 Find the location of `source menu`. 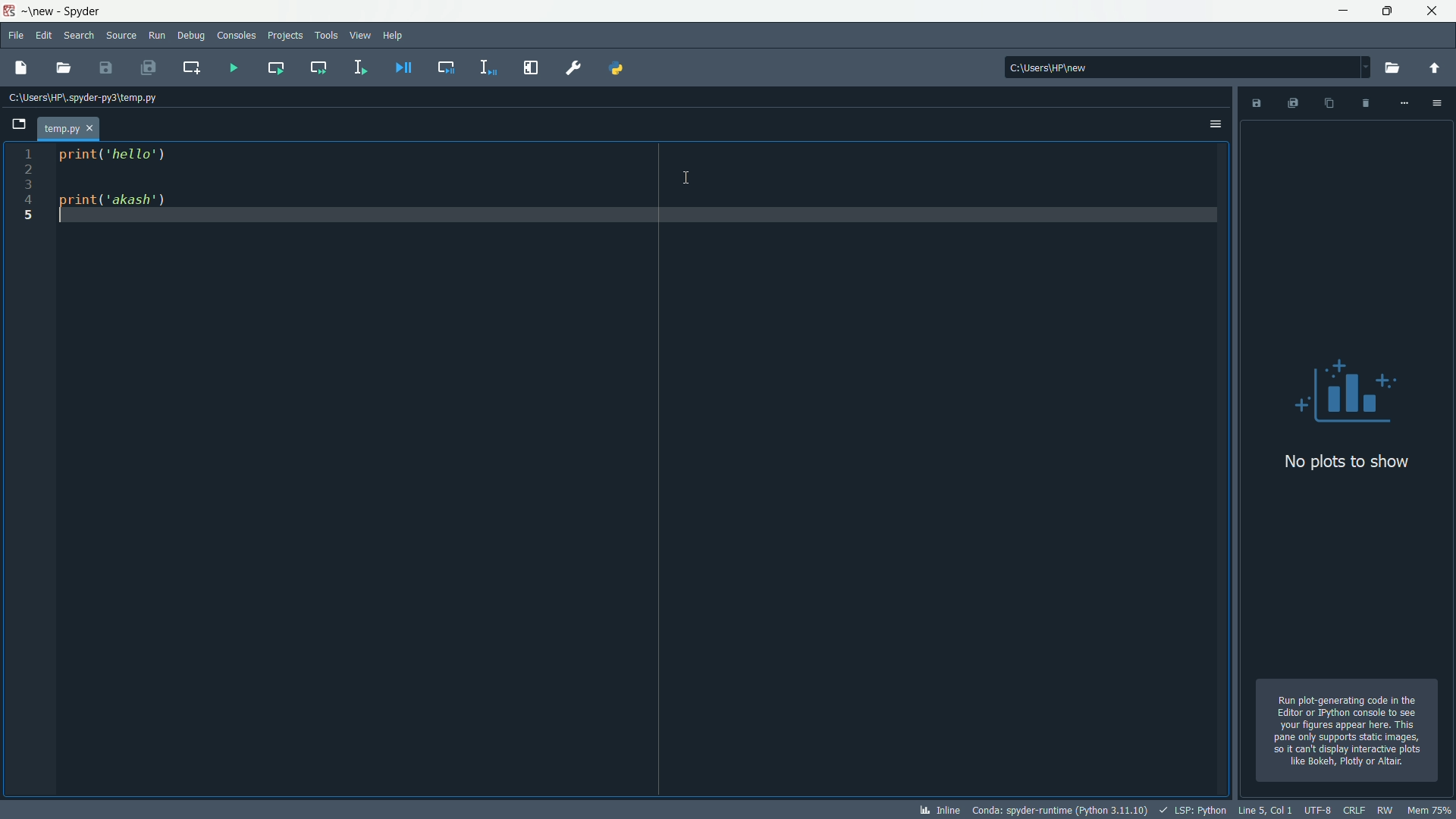

source menu is located at coordinates (123, 36).